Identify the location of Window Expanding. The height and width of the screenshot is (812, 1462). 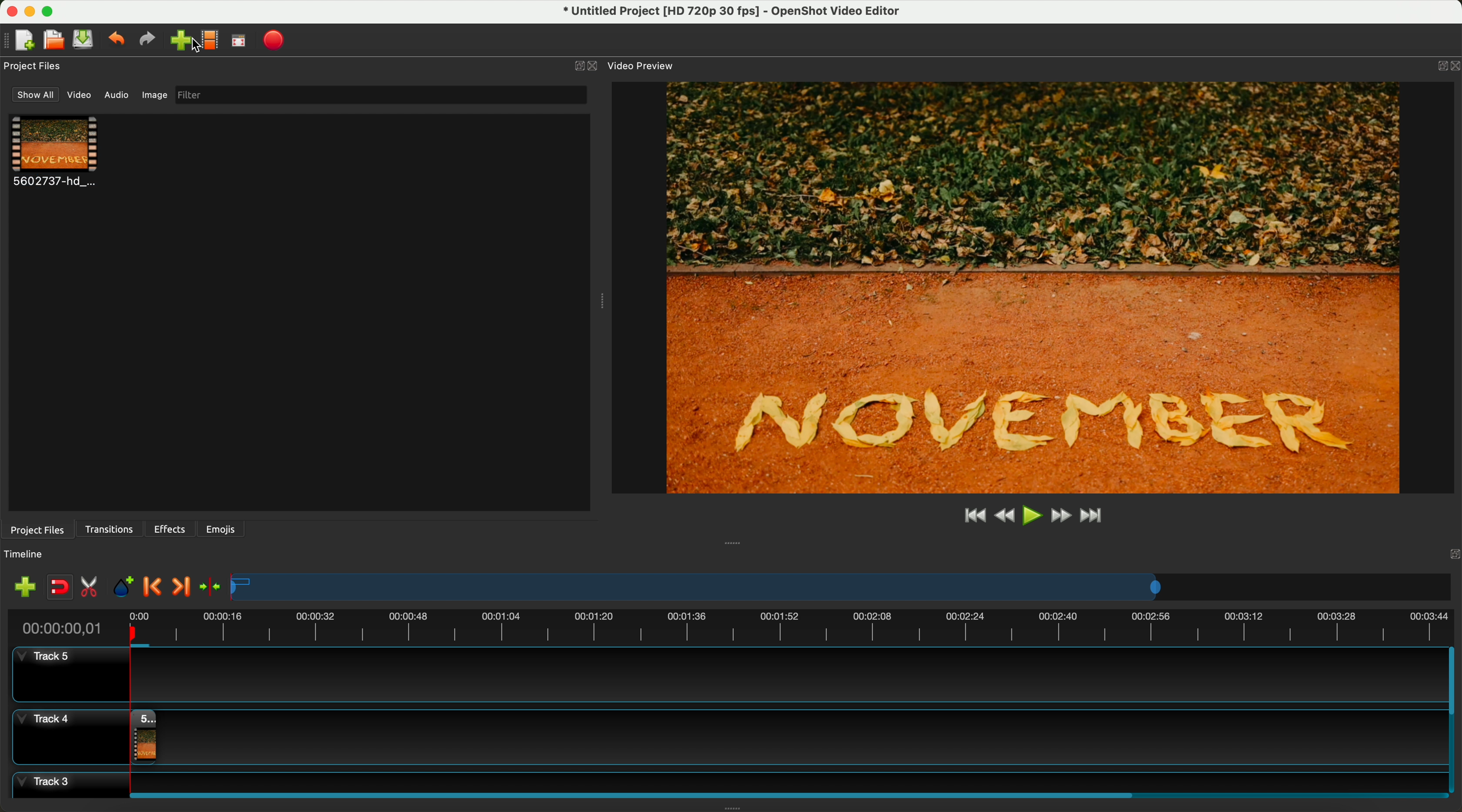
(733, 542).